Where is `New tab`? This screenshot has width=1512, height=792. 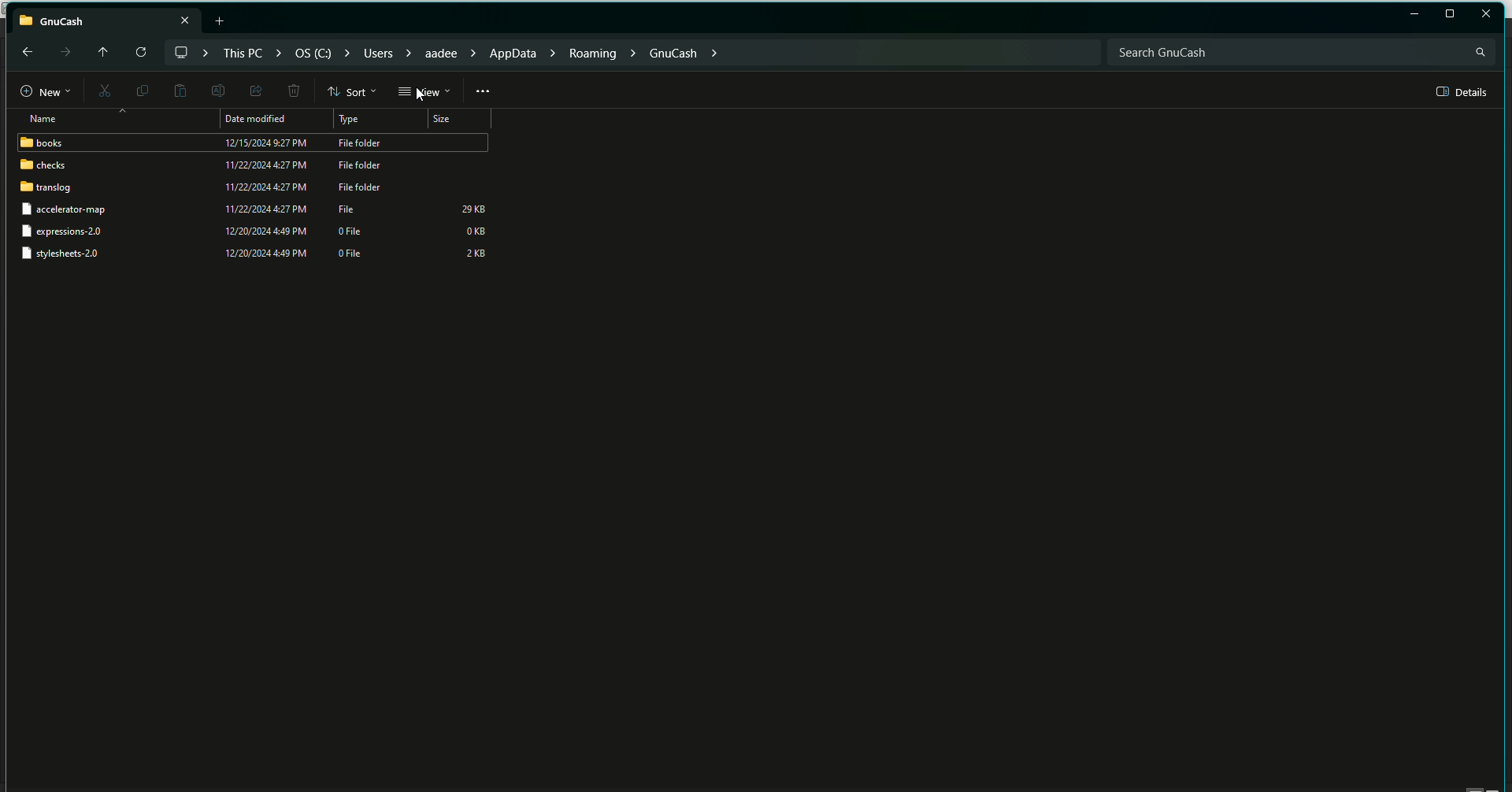 New tab is located at coordinates (222, 20).